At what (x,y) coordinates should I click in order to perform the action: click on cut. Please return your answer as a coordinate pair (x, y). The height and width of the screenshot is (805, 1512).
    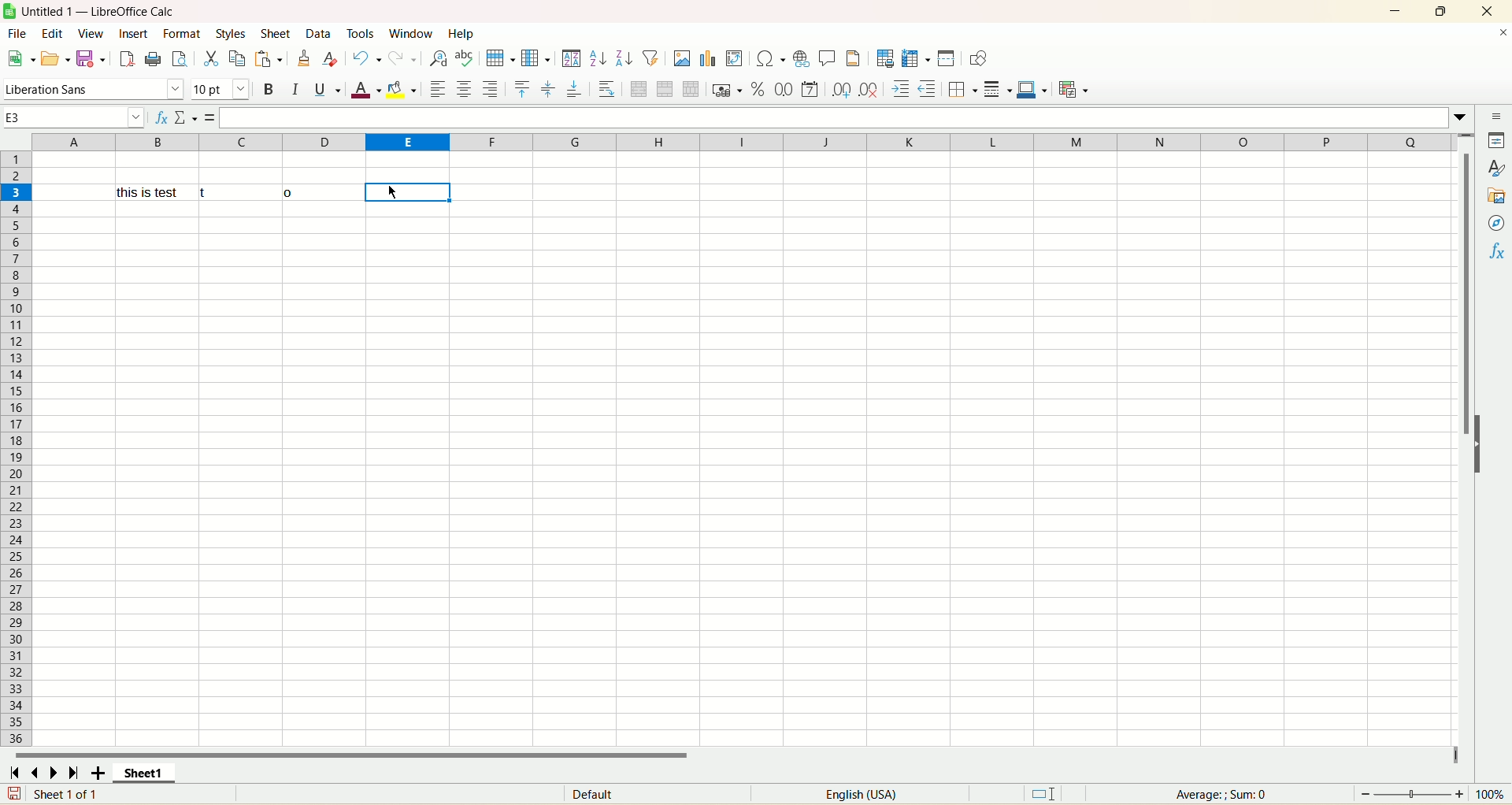
    Looking at the image, I should click on (210, 60).